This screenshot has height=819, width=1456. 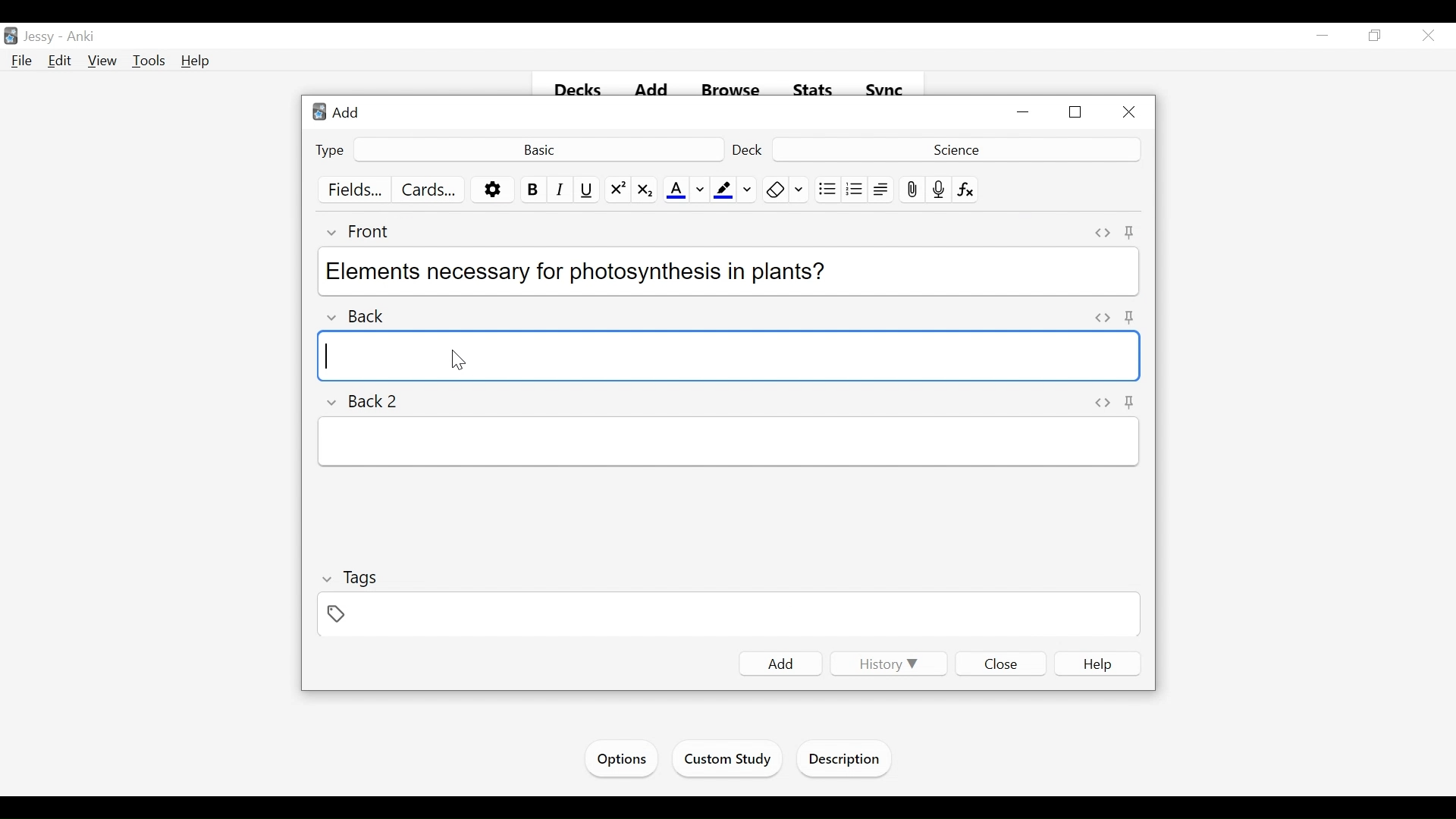 What do you see at coordinates (367, 231) in the screenshot?
I see `Front` at bounding box center [367, 231].